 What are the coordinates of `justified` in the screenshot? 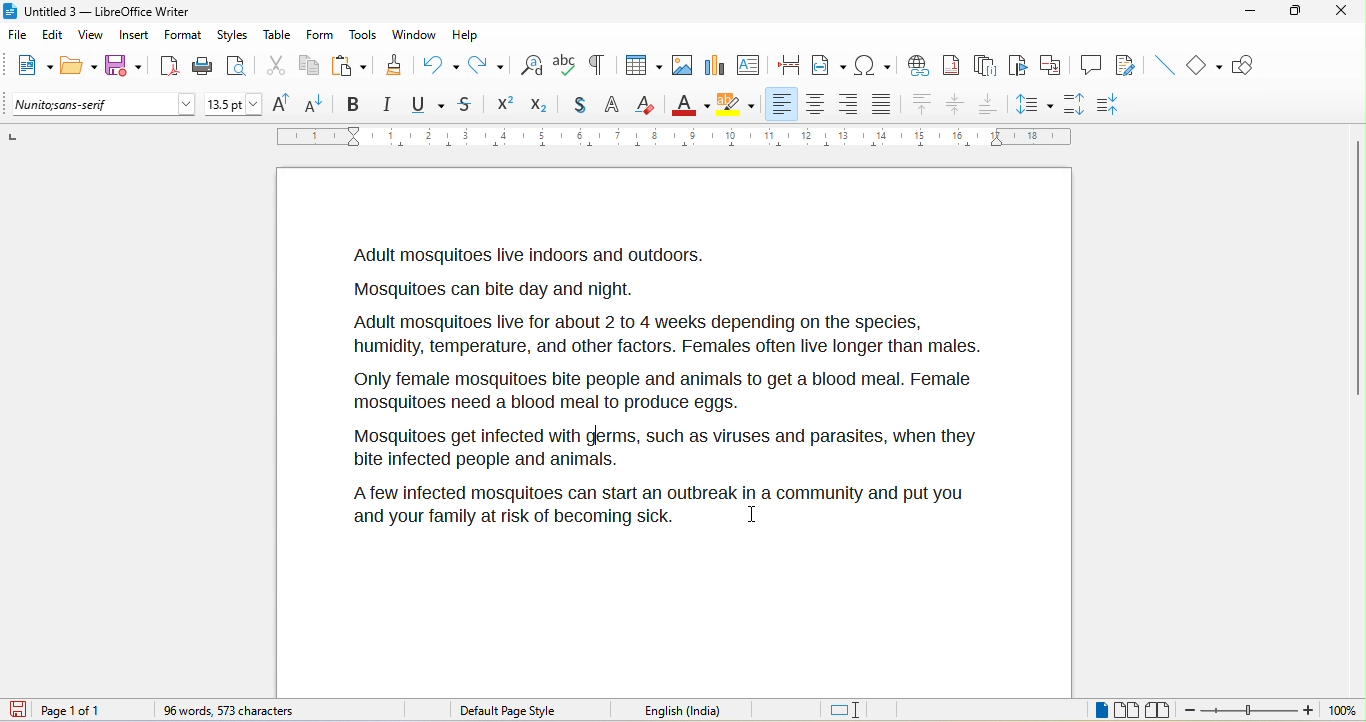 It's located at (886, 106).